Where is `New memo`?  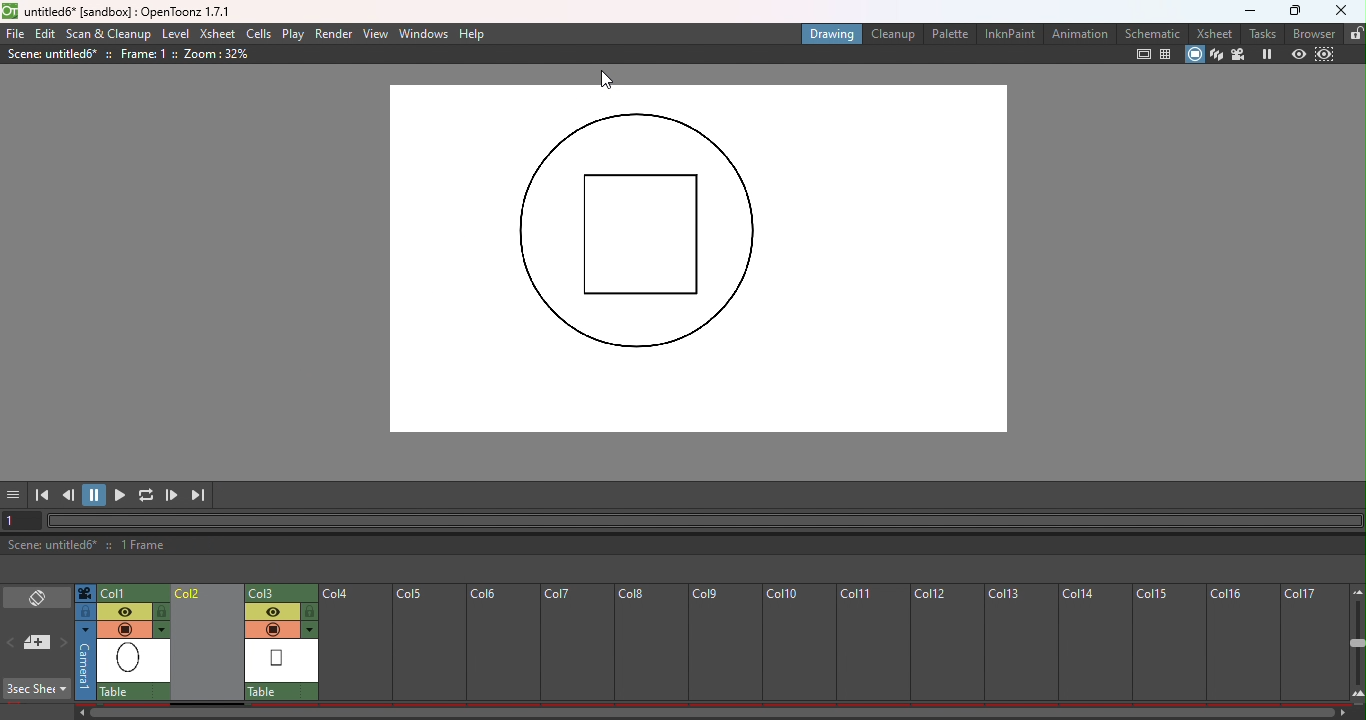 New memo is located at coordinates (37, 643).